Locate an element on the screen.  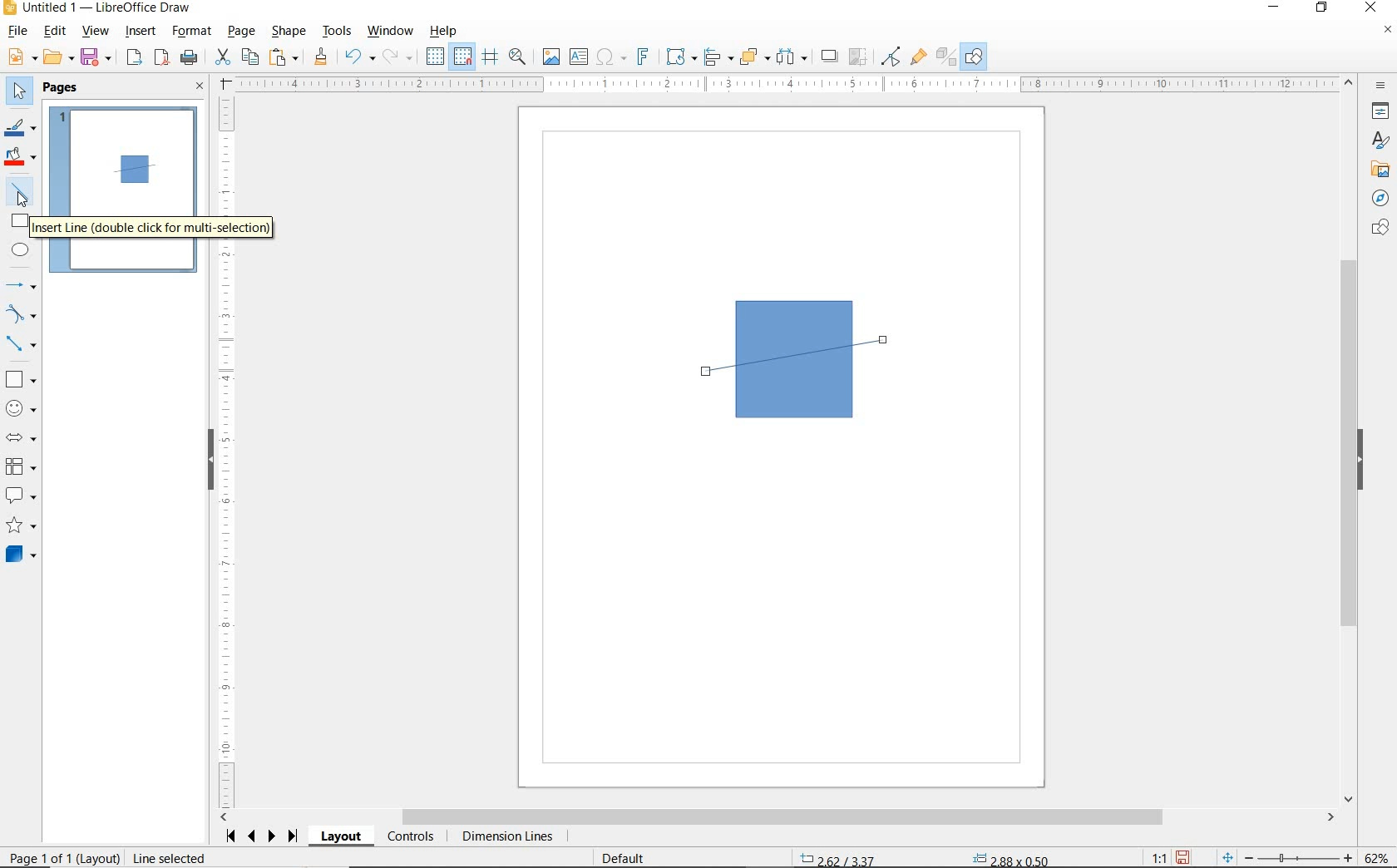
ALIGN OBJECTS is located at coordinates (718, 57).